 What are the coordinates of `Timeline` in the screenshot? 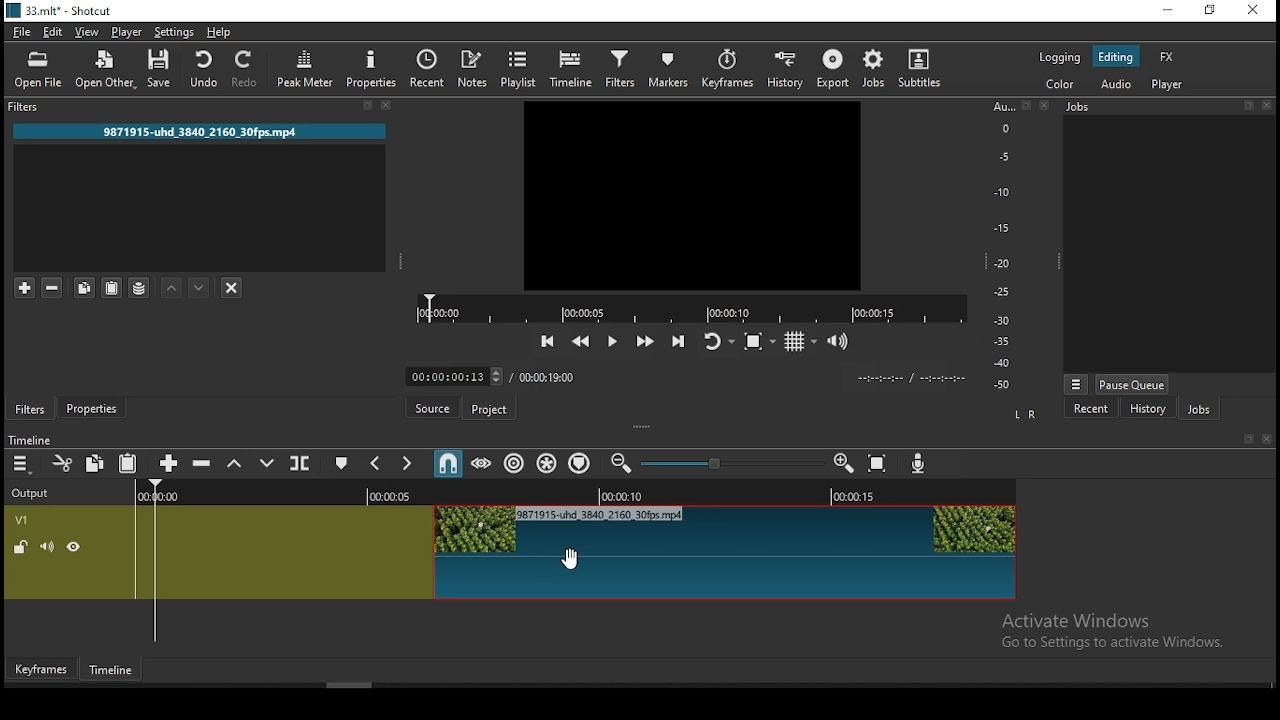 It's located at (110, 670).